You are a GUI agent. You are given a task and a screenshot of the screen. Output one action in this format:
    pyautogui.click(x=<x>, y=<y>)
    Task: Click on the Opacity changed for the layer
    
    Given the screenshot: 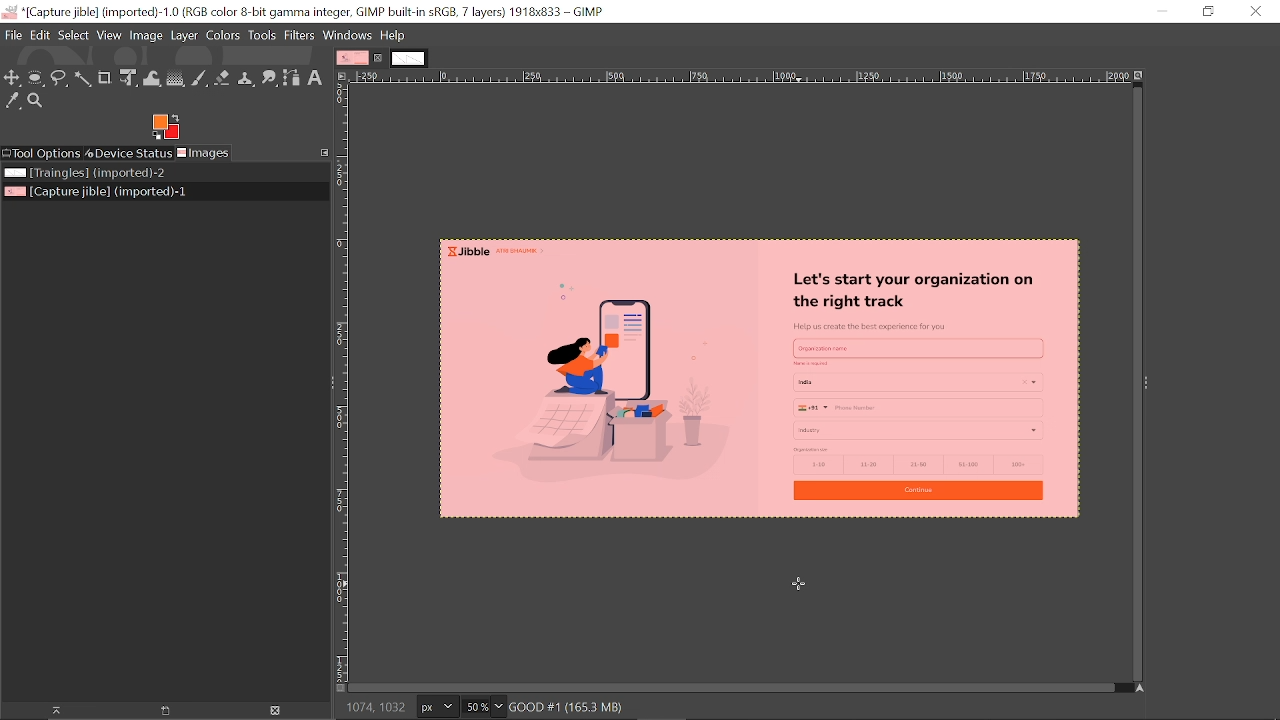 What is the action you would take?
    pyautogui.click(x=766, y=381)
    